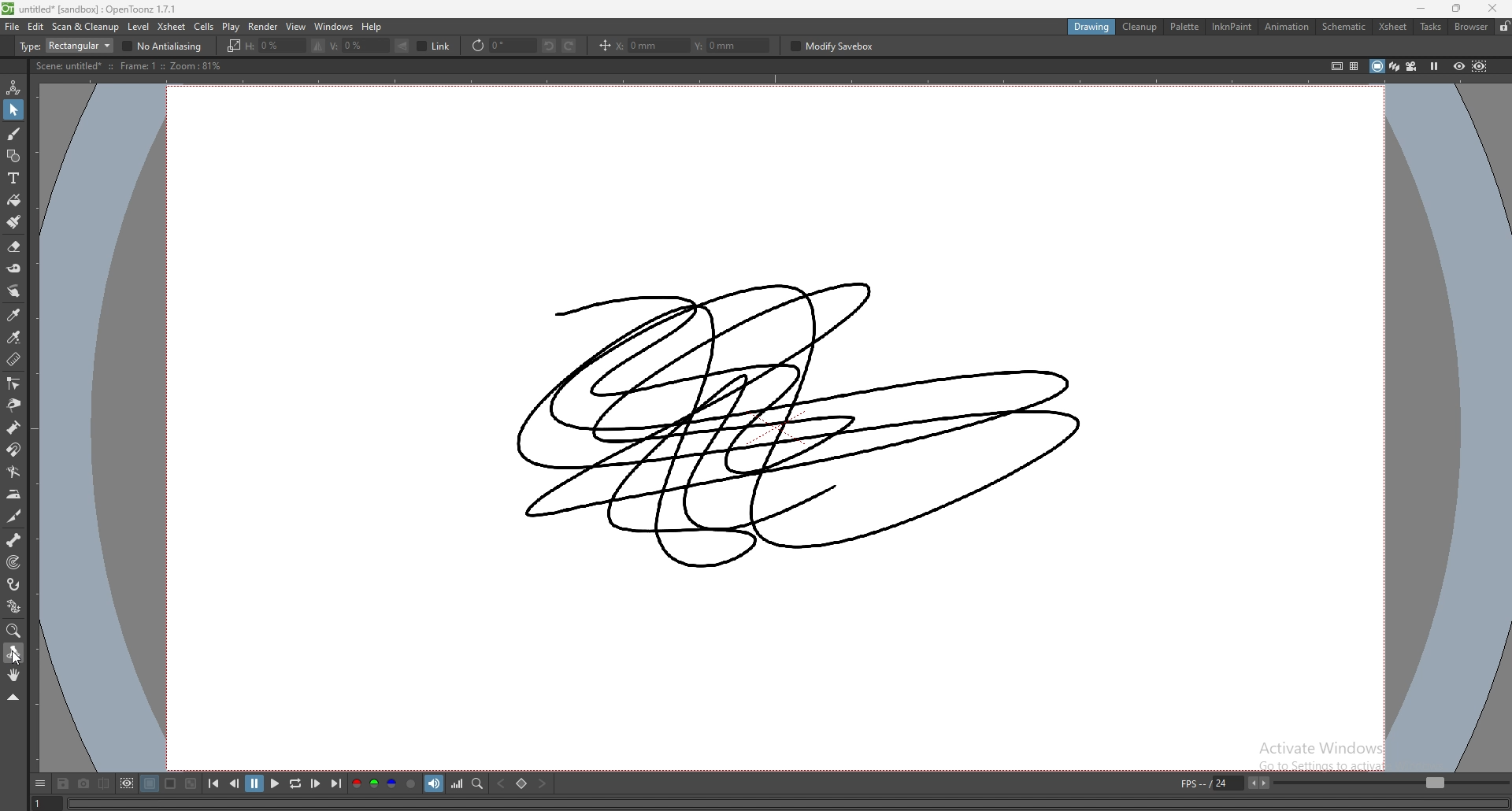 The image size is (1512, 811). I want to click on level, so click(139, 26).